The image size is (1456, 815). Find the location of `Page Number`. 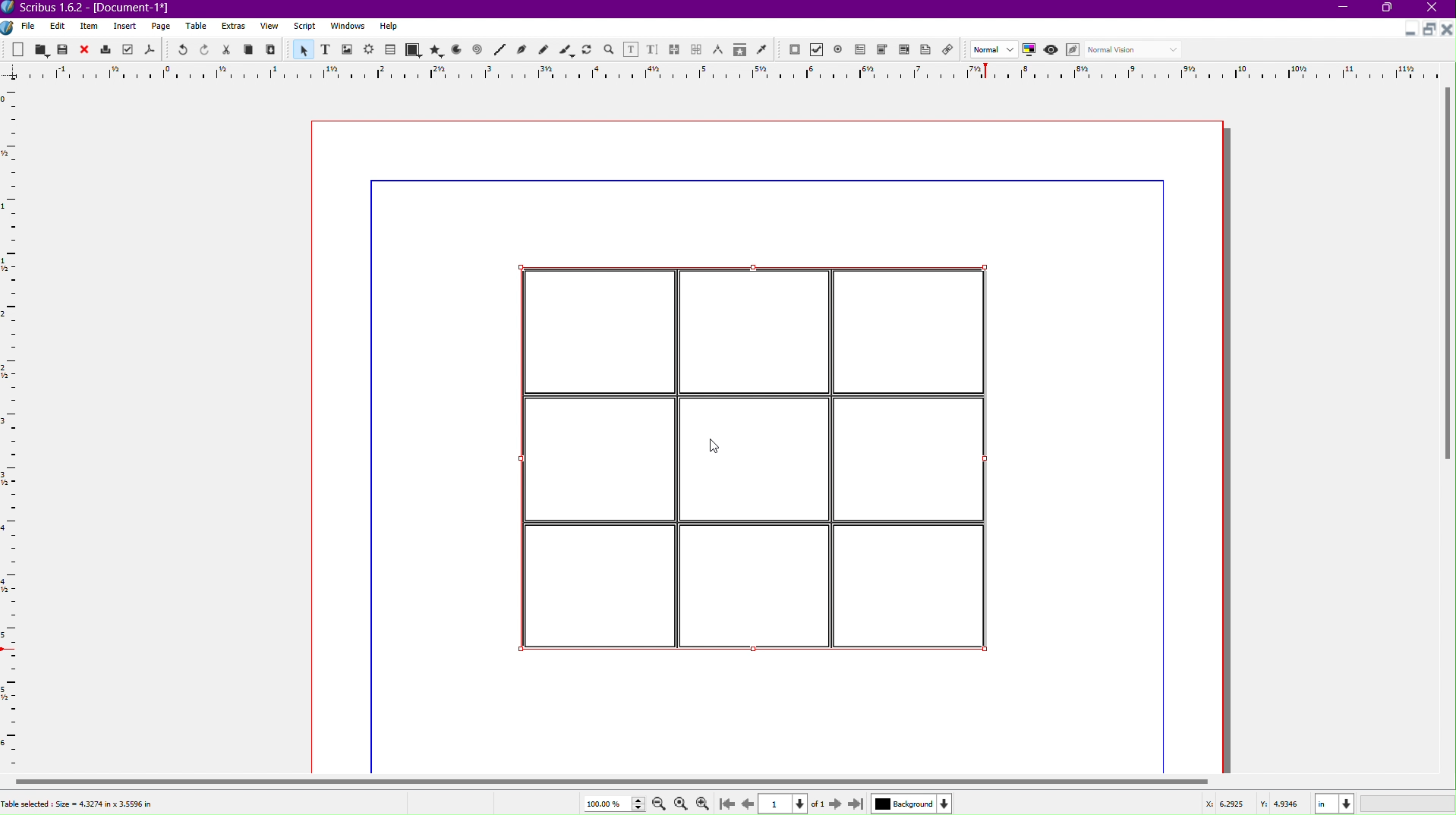

Page Number is located at coordinates (785, 804).